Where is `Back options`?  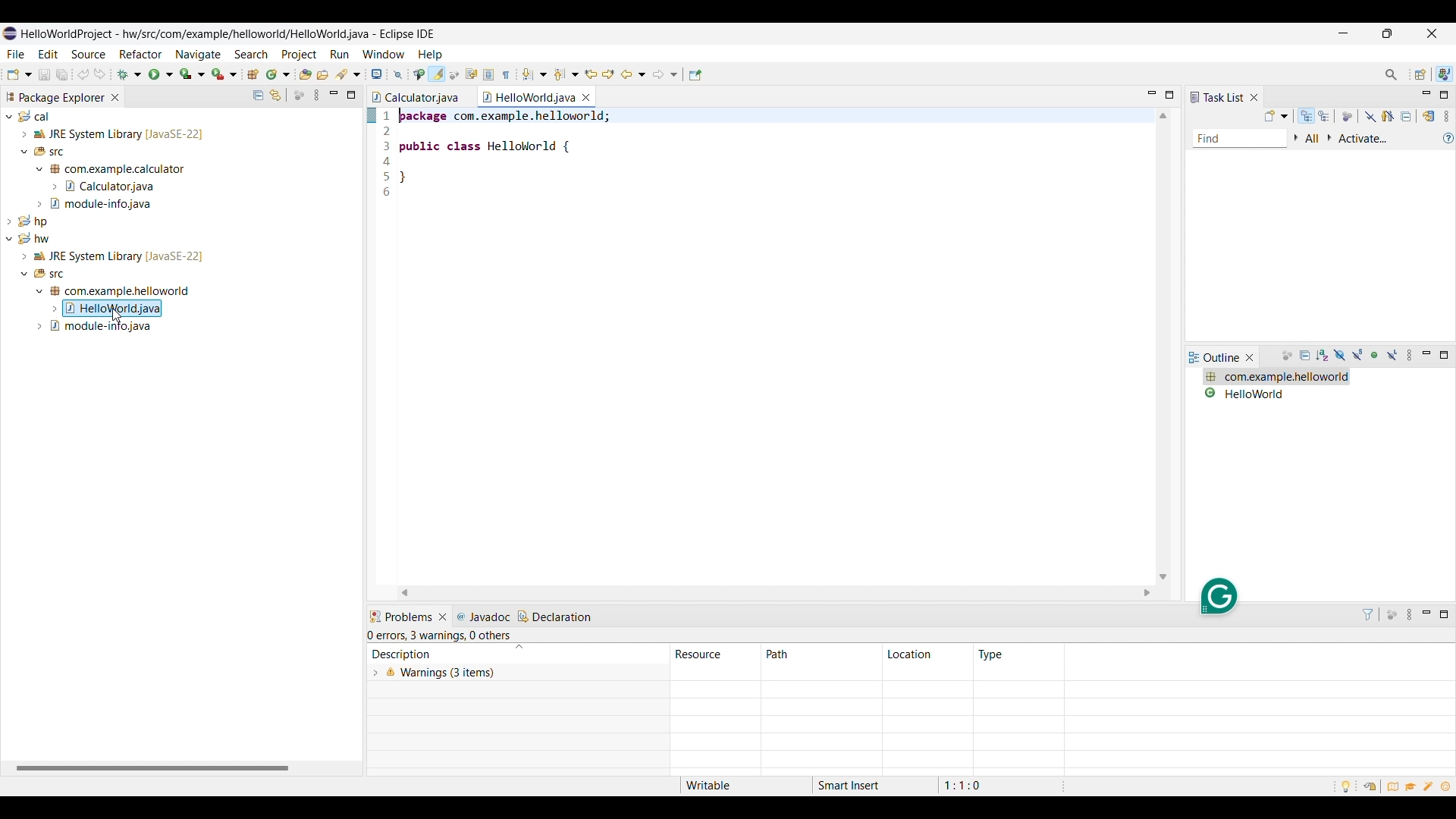 Back options is located at coordinates (634, 74).